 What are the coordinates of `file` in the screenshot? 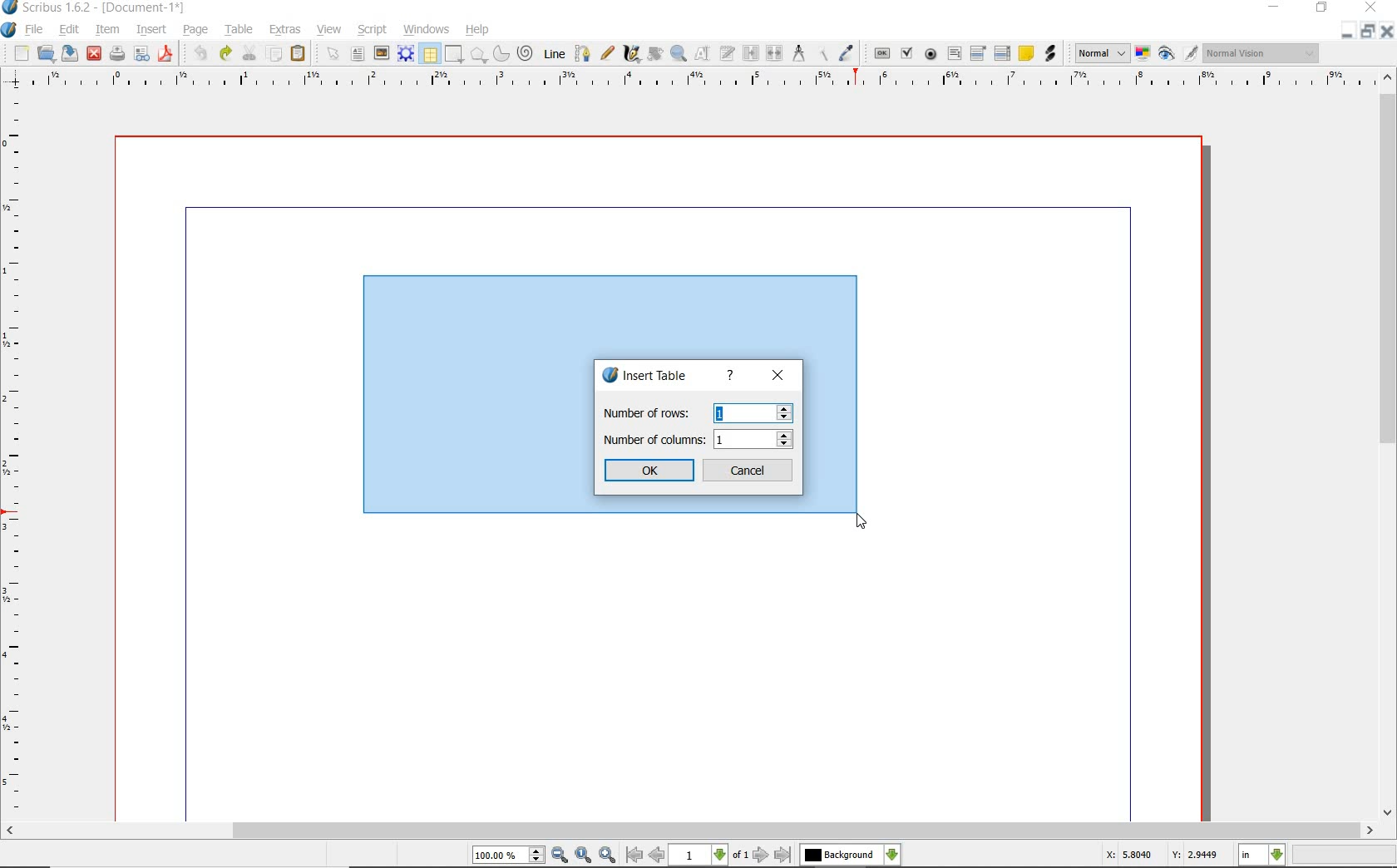 It's located at (35, 31).